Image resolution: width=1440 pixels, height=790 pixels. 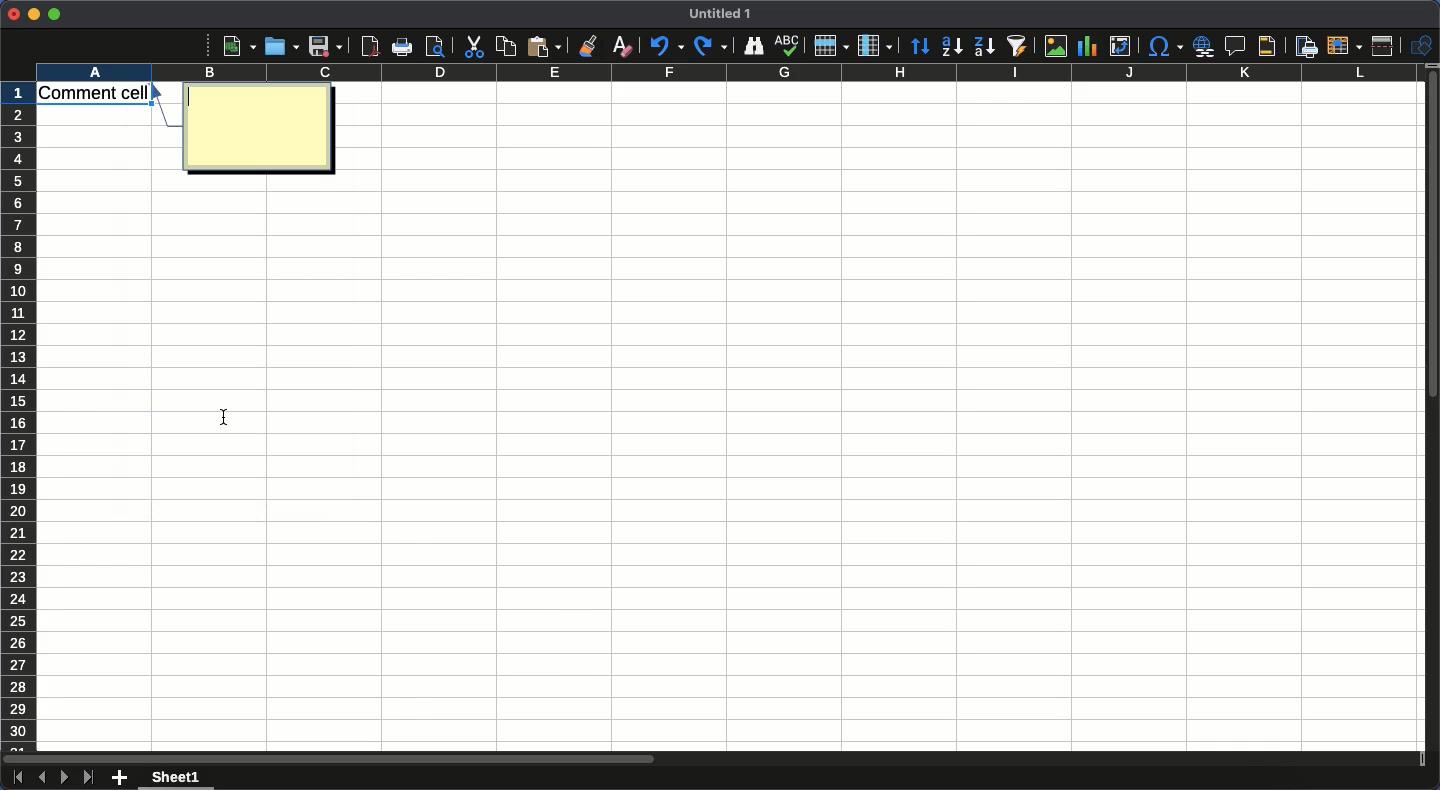 I want to click on Spell check, so click(x=788, y=46).